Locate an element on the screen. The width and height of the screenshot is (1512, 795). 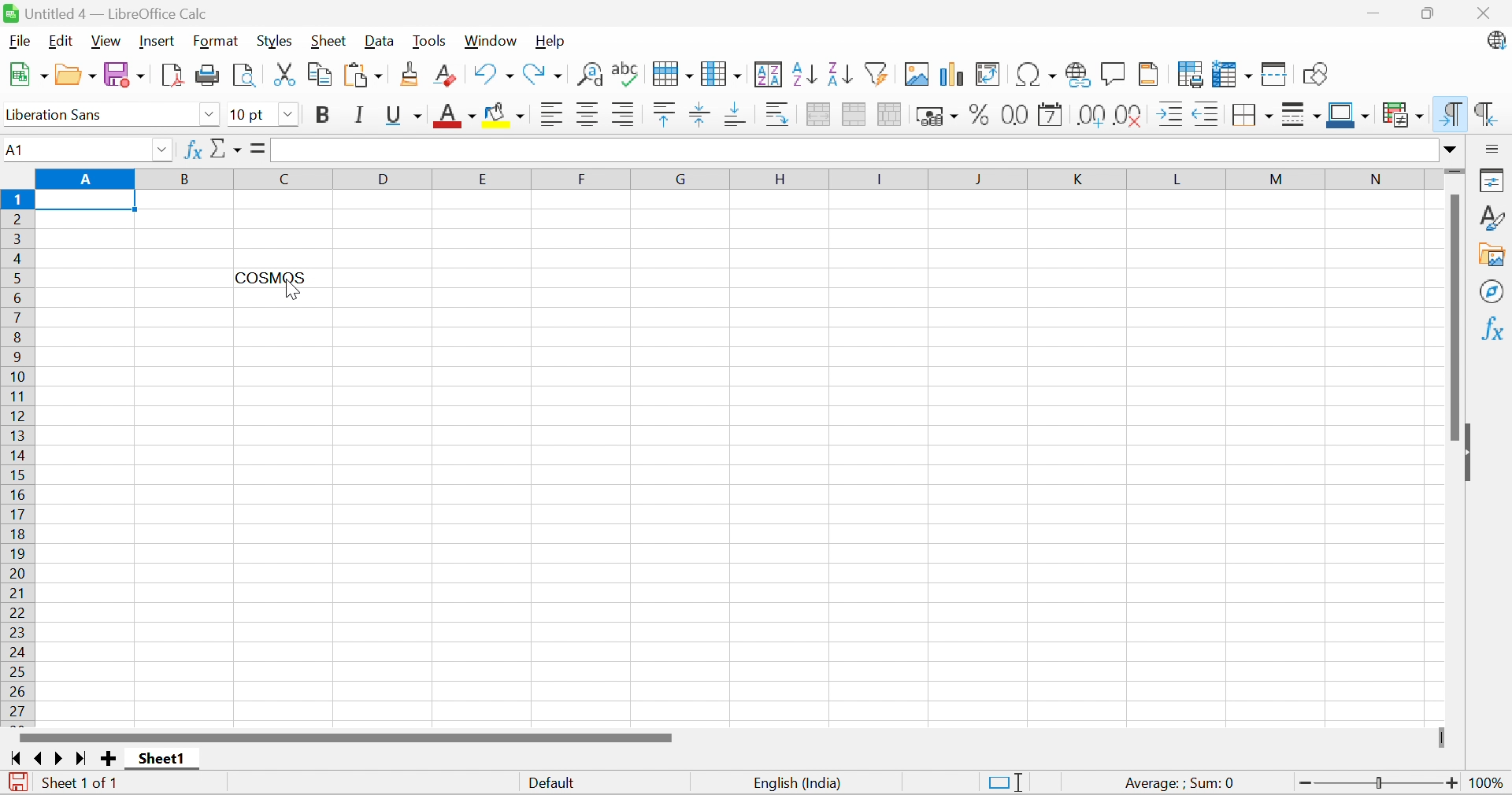
Format as Date is located at coordinates (1052, 115).